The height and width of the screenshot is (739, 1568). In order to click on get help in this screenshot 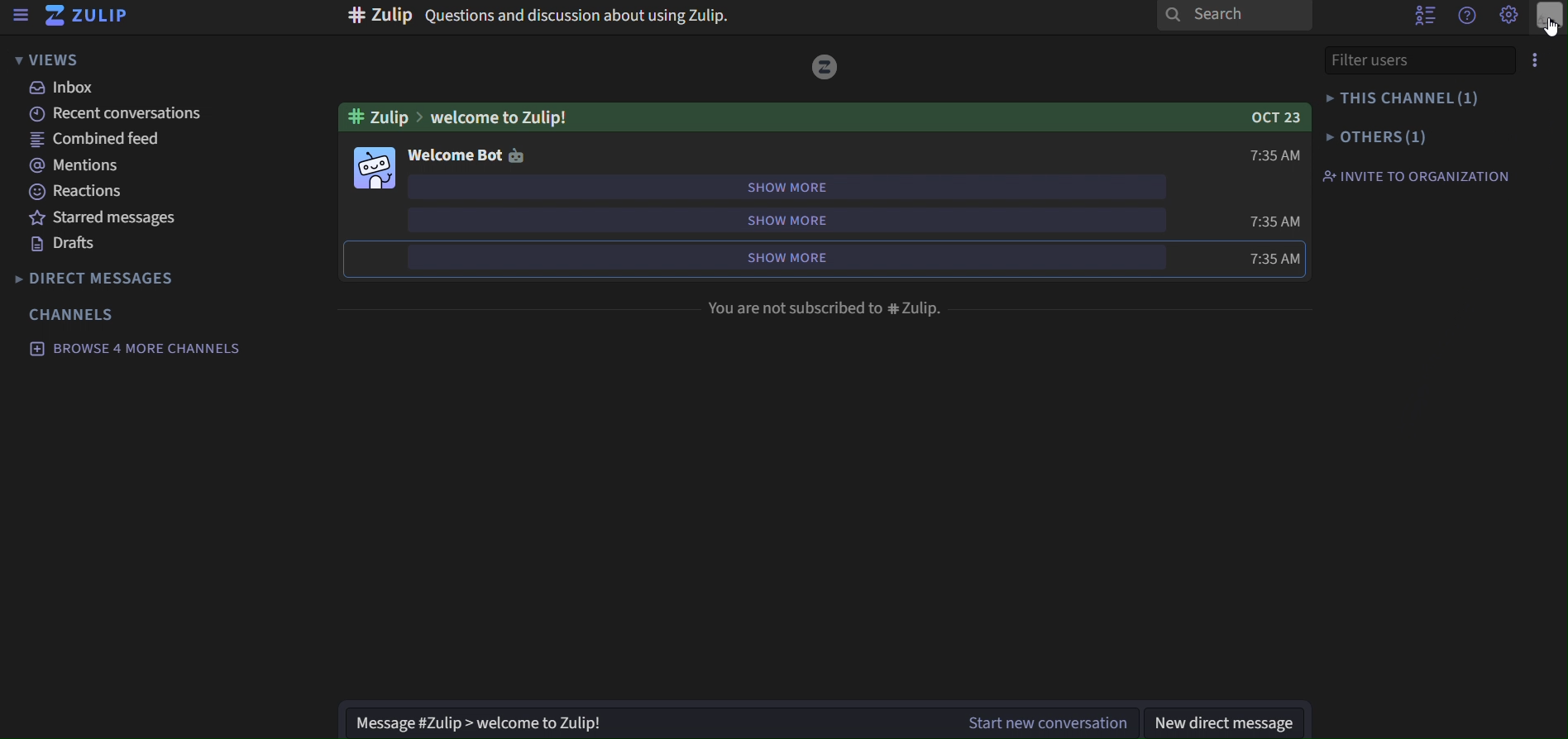, I will do `click(1466, 17)`.